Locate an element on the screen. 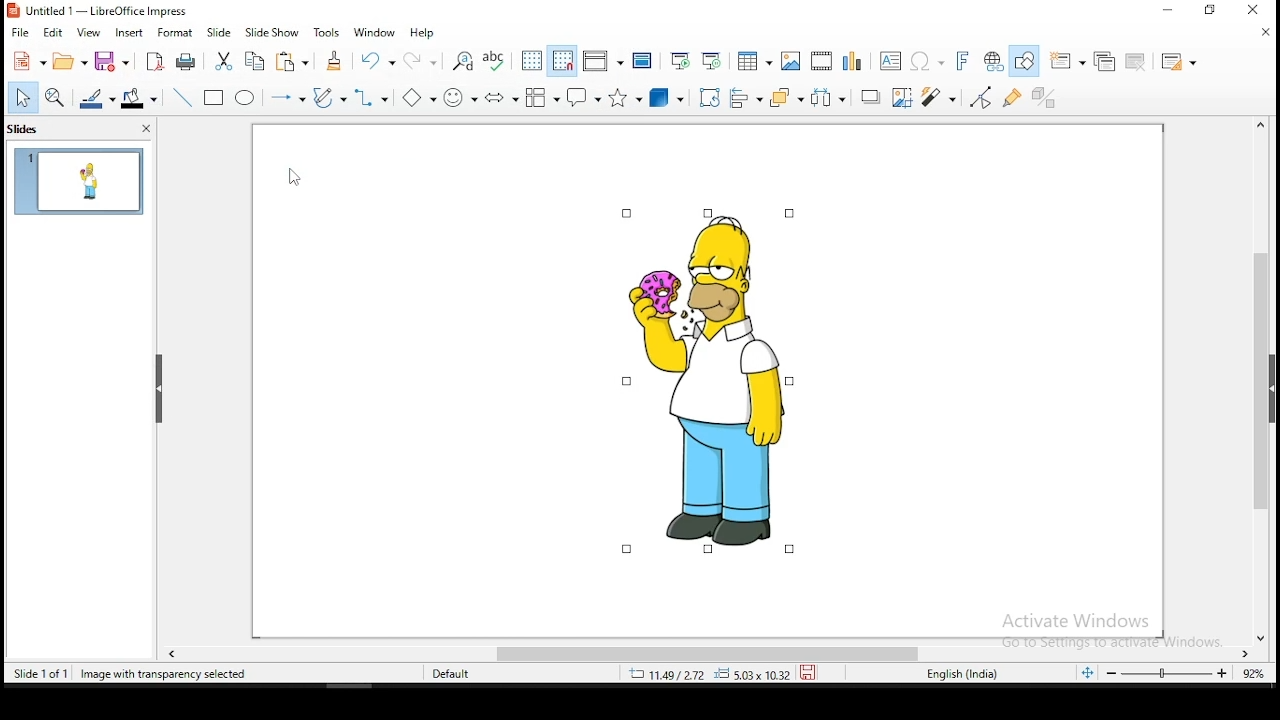 The height and width of the screenshot is (720, 1280). start from first slide is located at coordinates (682, 58).